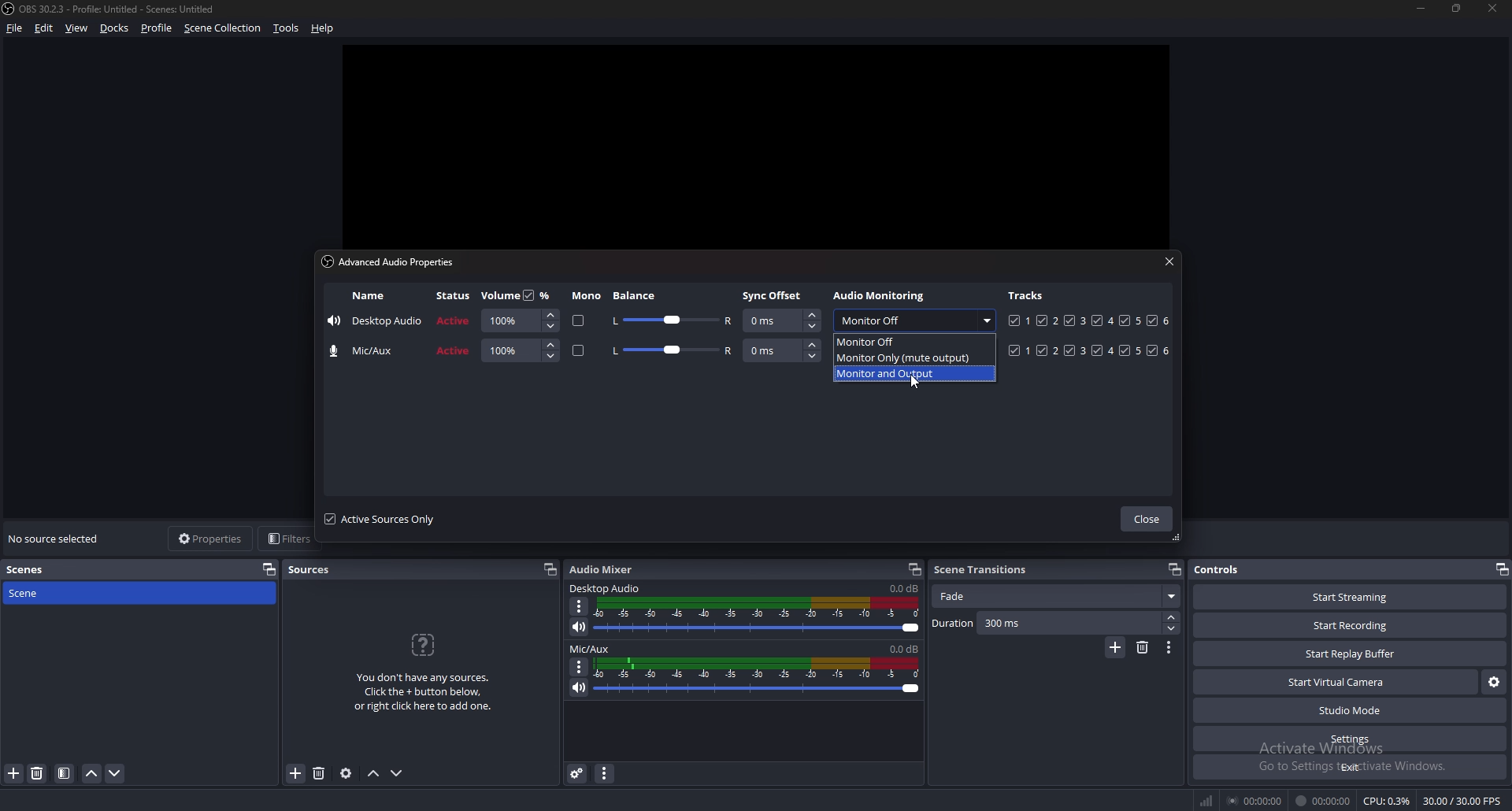 The height and width of the screenshot is (811, 1512). What do you see at coordinates (1087, 350) in the screenshot?
I see `tracks` at bounding box center [1087, 350].